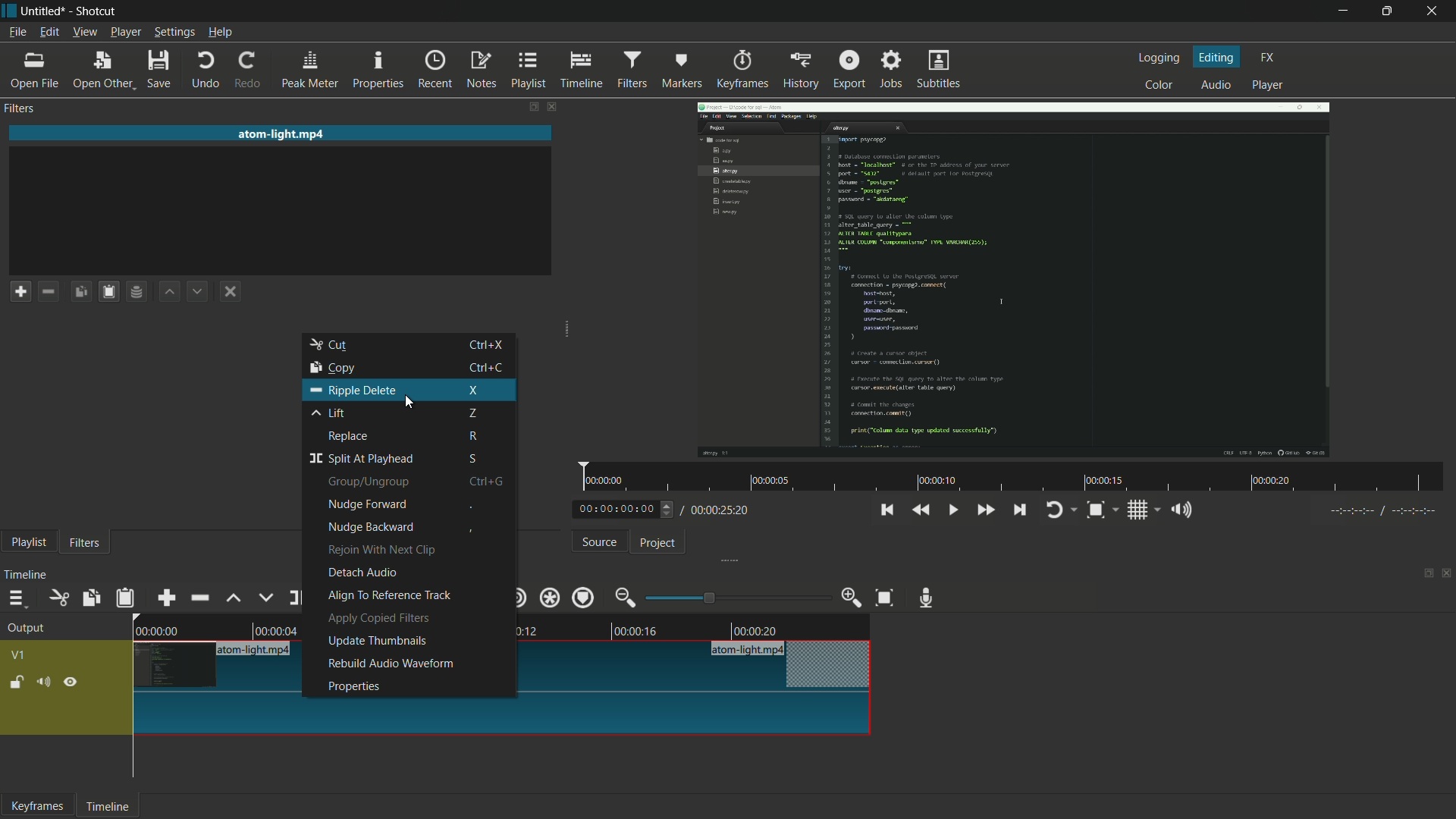 This screenshot has height=819, width=1456. What do you see at coordinates (1181, 509) in the screenshot?
I see `show volume control` at bounding box center [1181, 509].